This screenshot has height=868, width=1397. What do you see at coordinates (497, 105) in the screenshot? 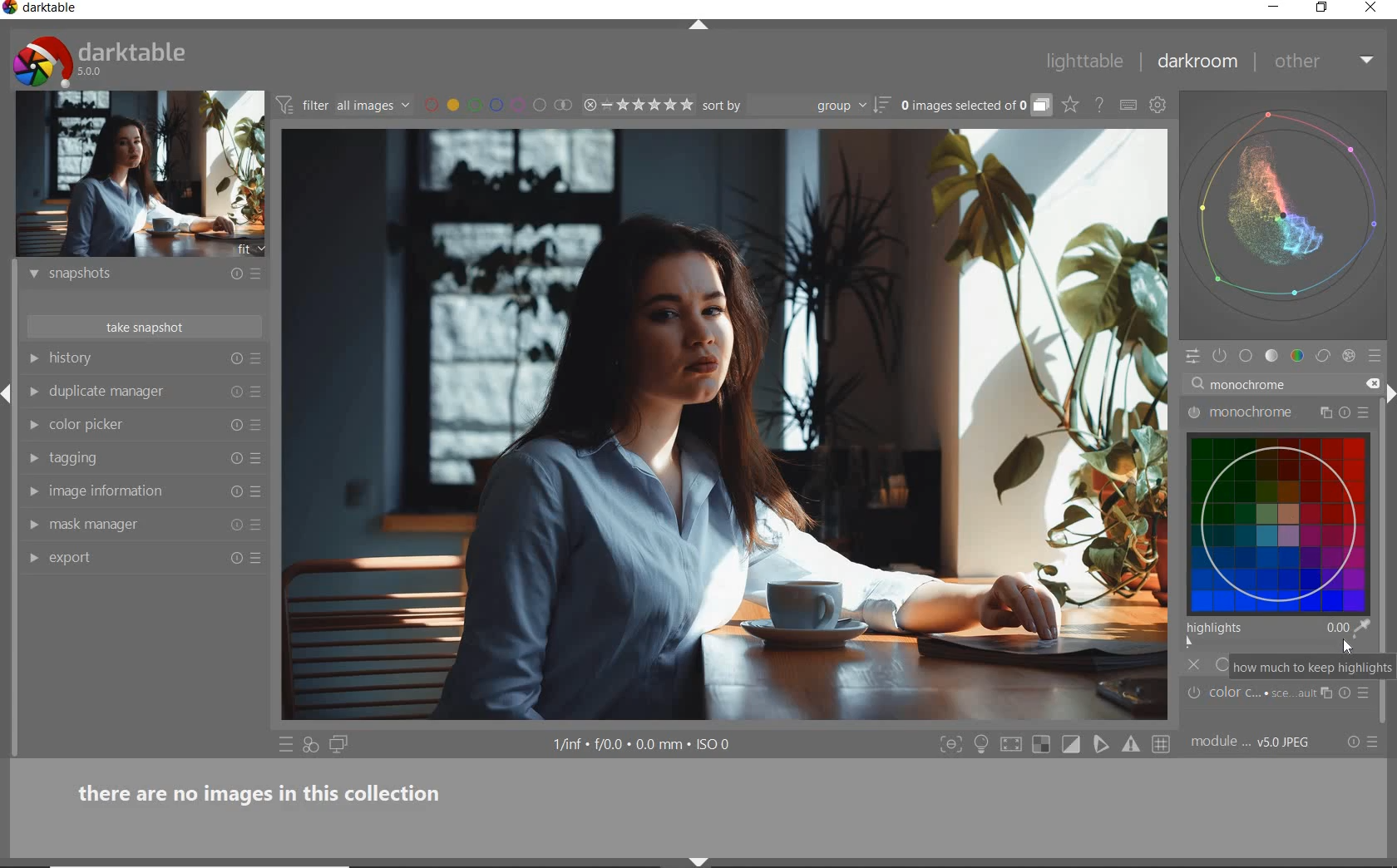
I see `filter by images color label` at bounding box center [497, 105].